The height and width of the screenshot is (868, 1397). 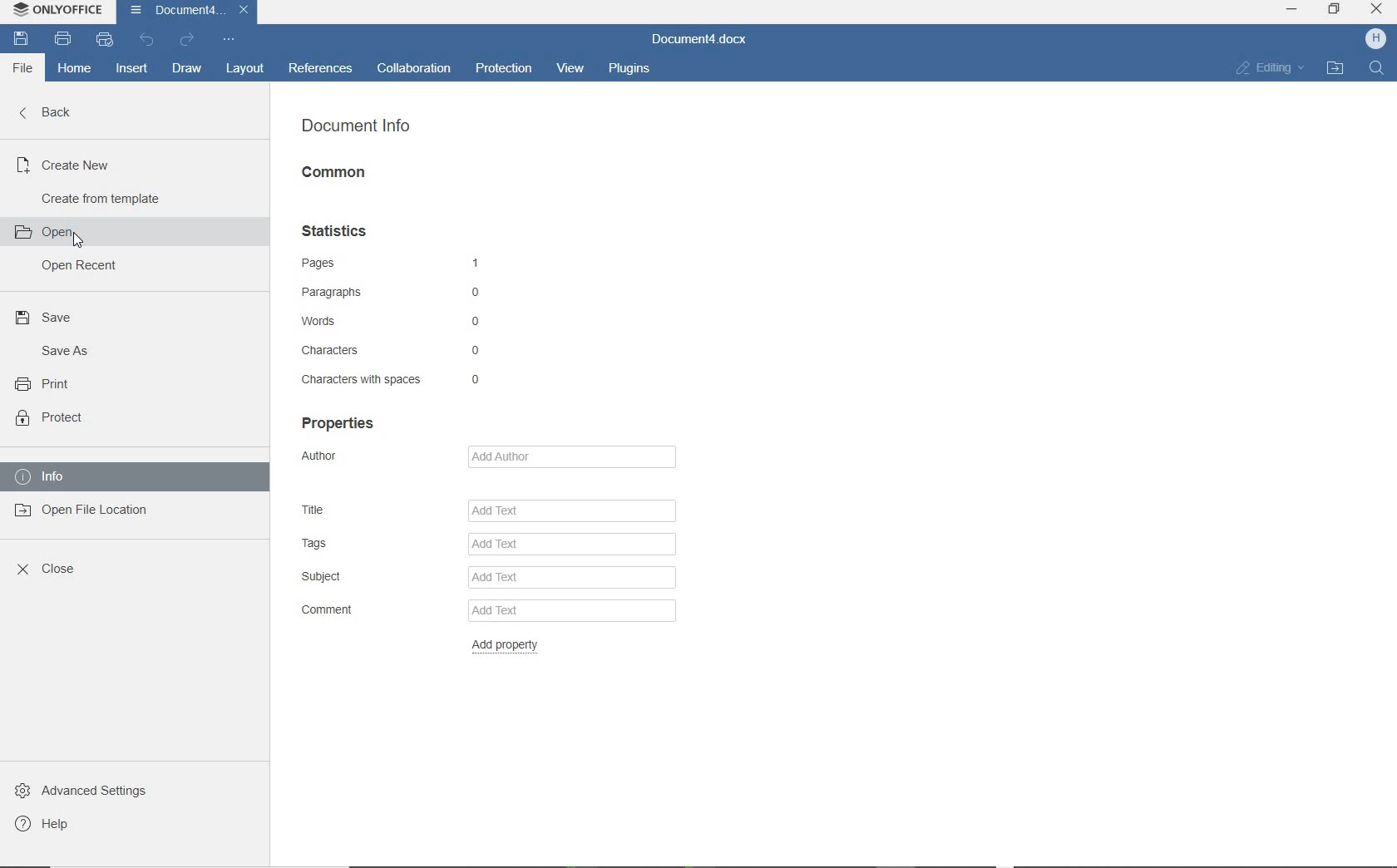 I want to click on minimize, so click(x=1291, y=8).